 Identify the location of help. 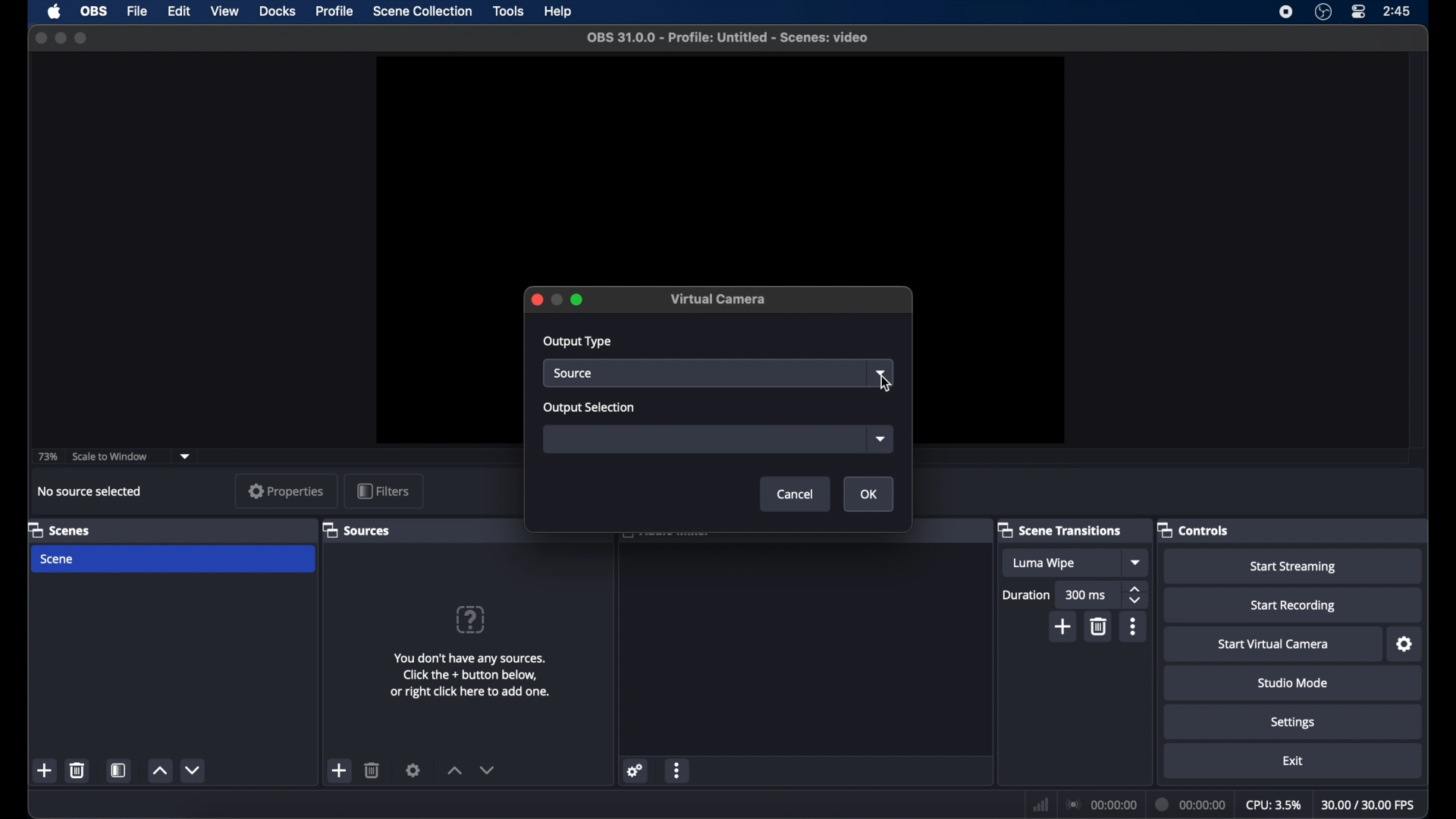
(472, 620).